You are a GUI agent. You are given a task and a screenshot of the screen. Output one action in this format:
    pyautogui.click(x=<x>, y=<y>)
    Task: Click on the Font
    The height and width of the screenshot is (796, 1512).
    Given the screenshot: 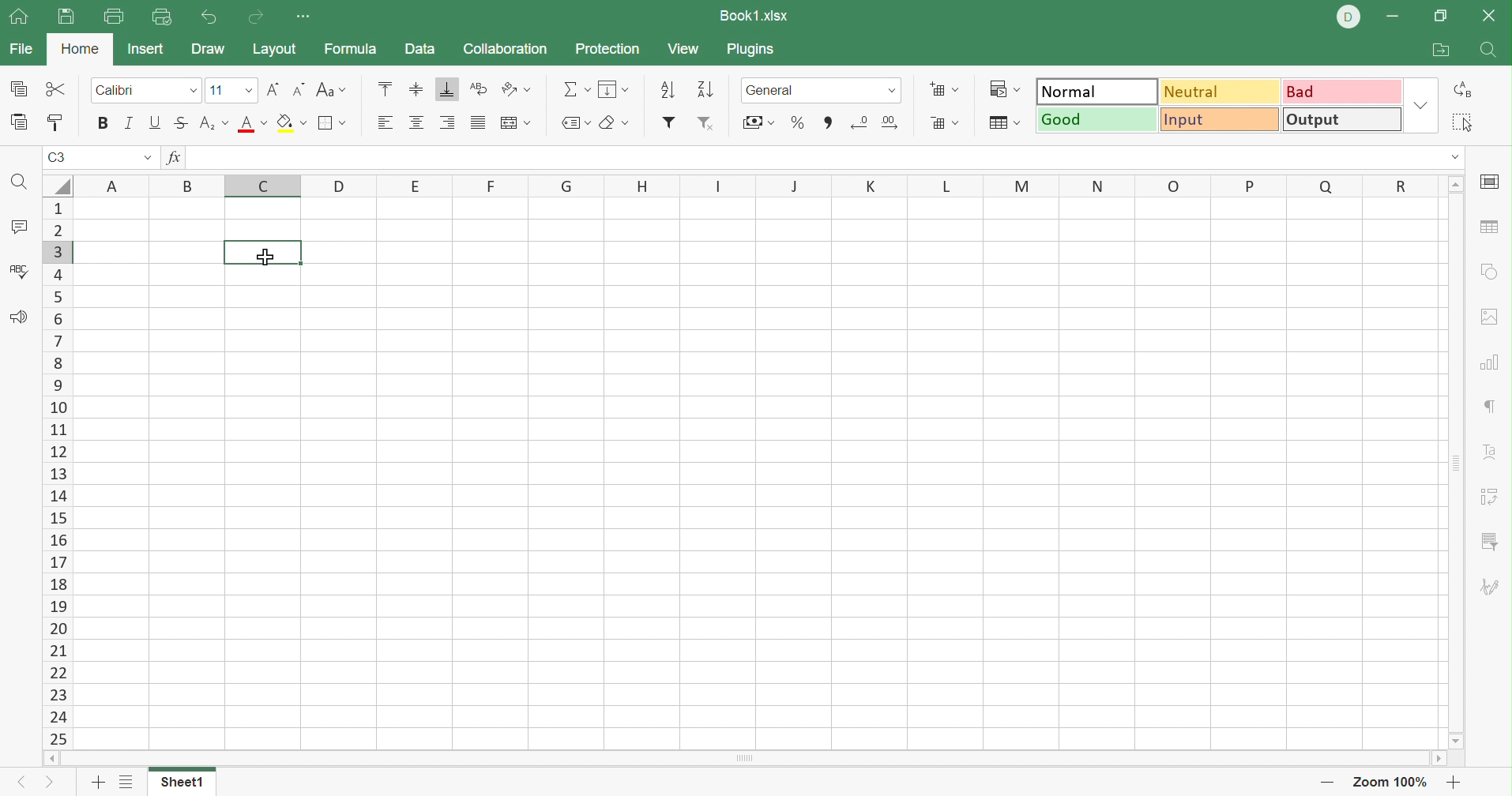 What is the action you would take?
    pyautogui.click(x=148, y=91)
    